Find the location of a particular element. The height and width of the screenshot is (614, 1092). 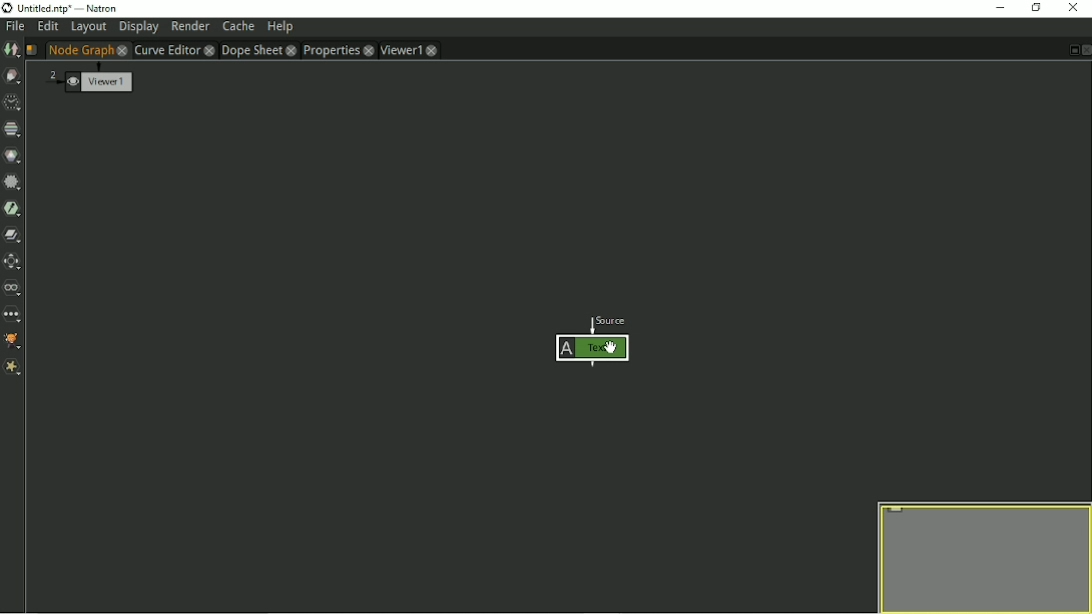

File is located at coordinates (14, 28).